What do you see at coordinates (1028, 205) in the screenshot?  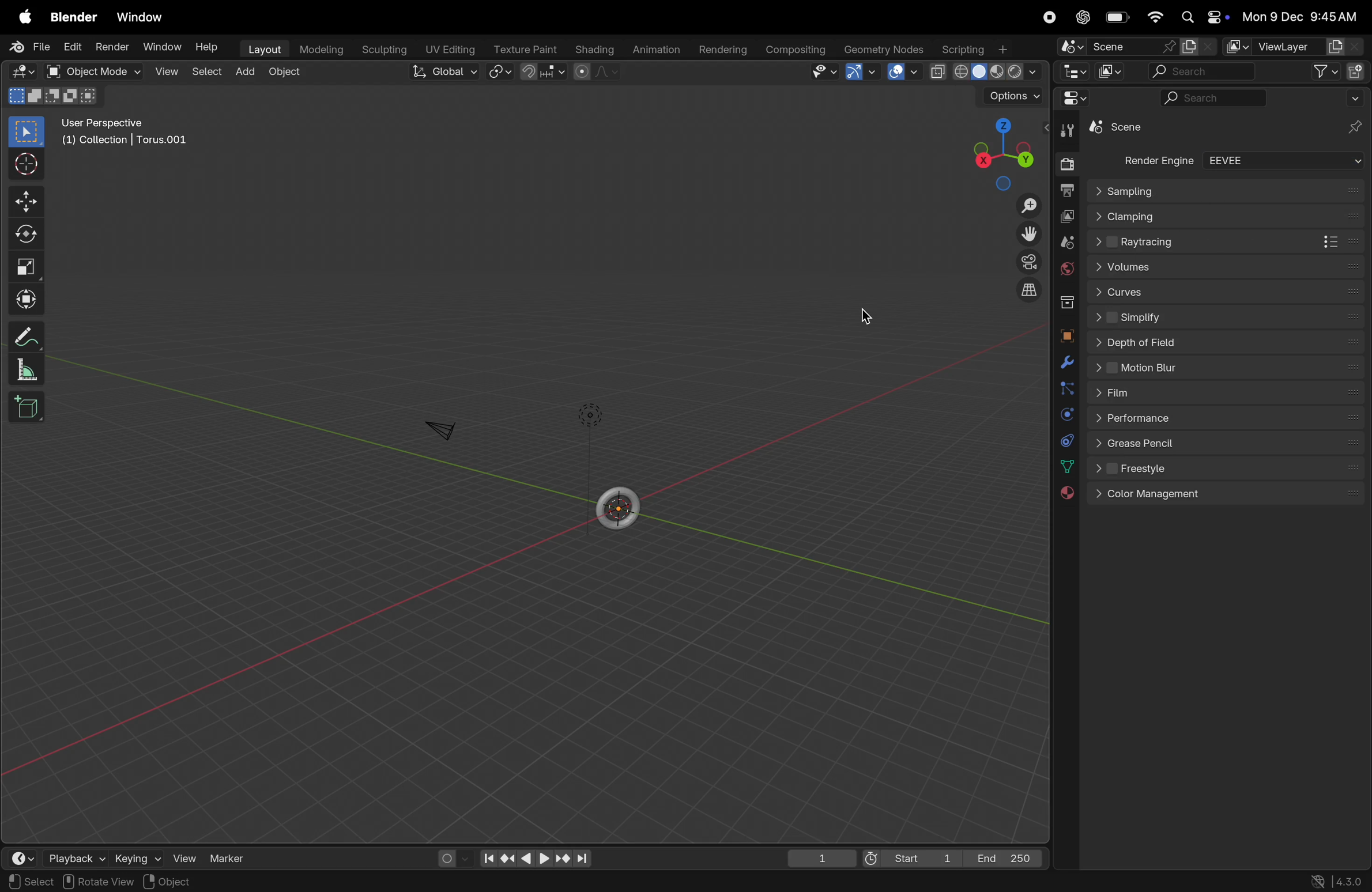 I see `Zoom in out` at bounding box center [1028, 205].